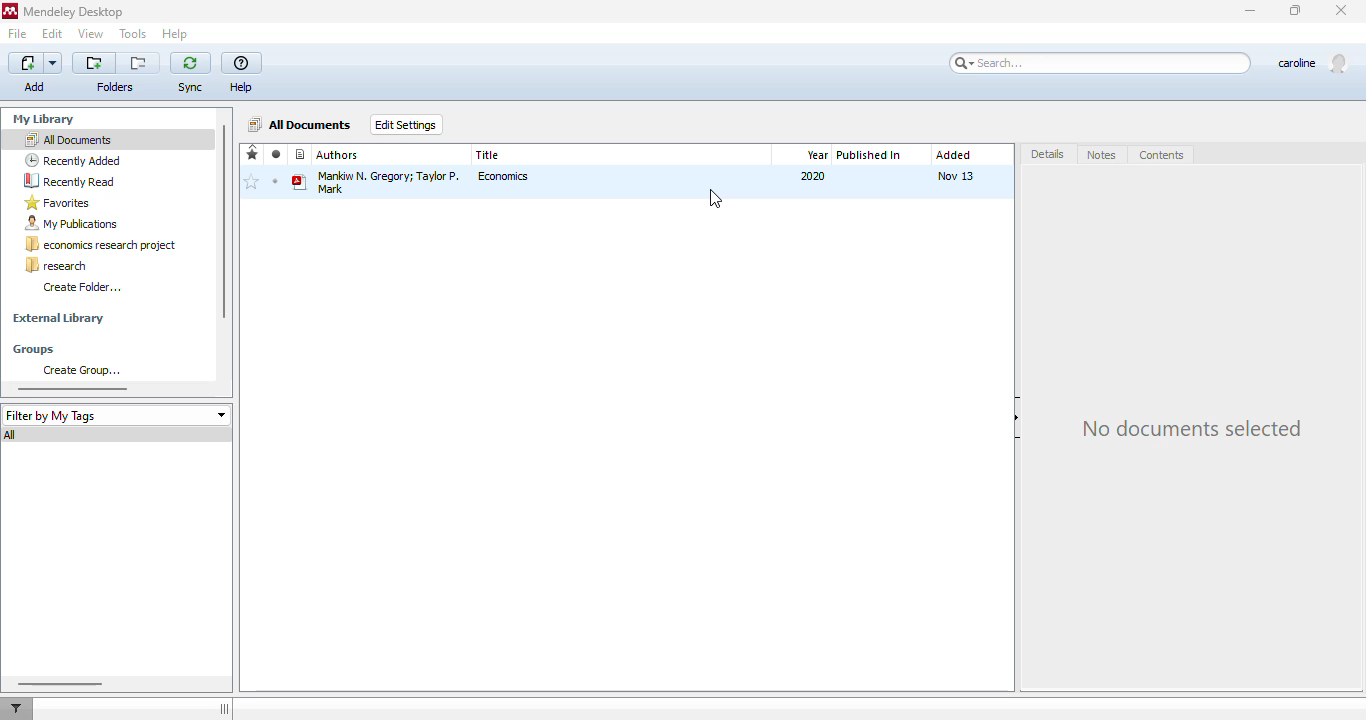  I want to click on toggle sidebar, so click(225, 708).